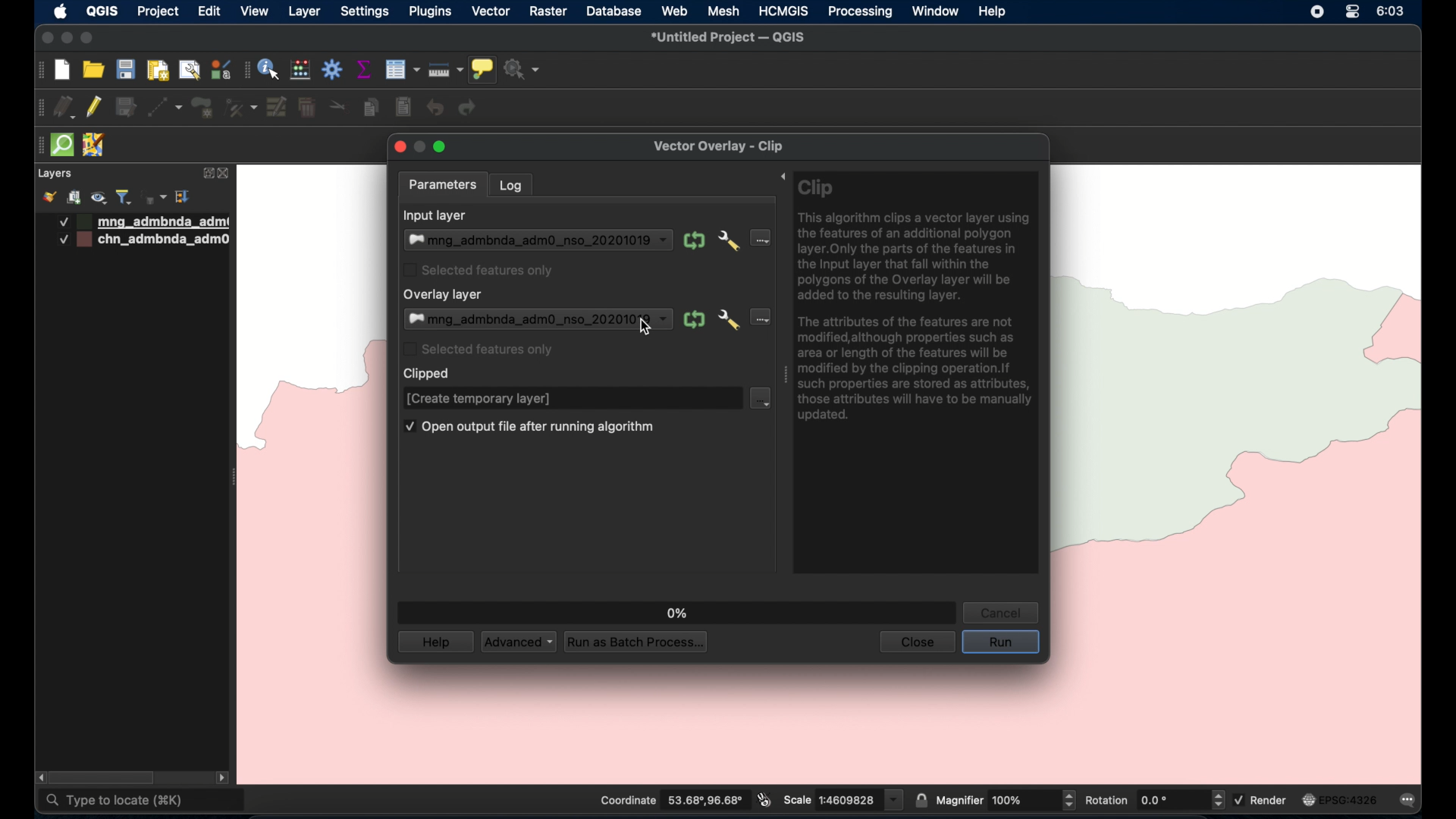 The image size is (1456, 819). Describe the element at coordinates (365, 69) in the screenshot. I see `show statistical summary` at that location.